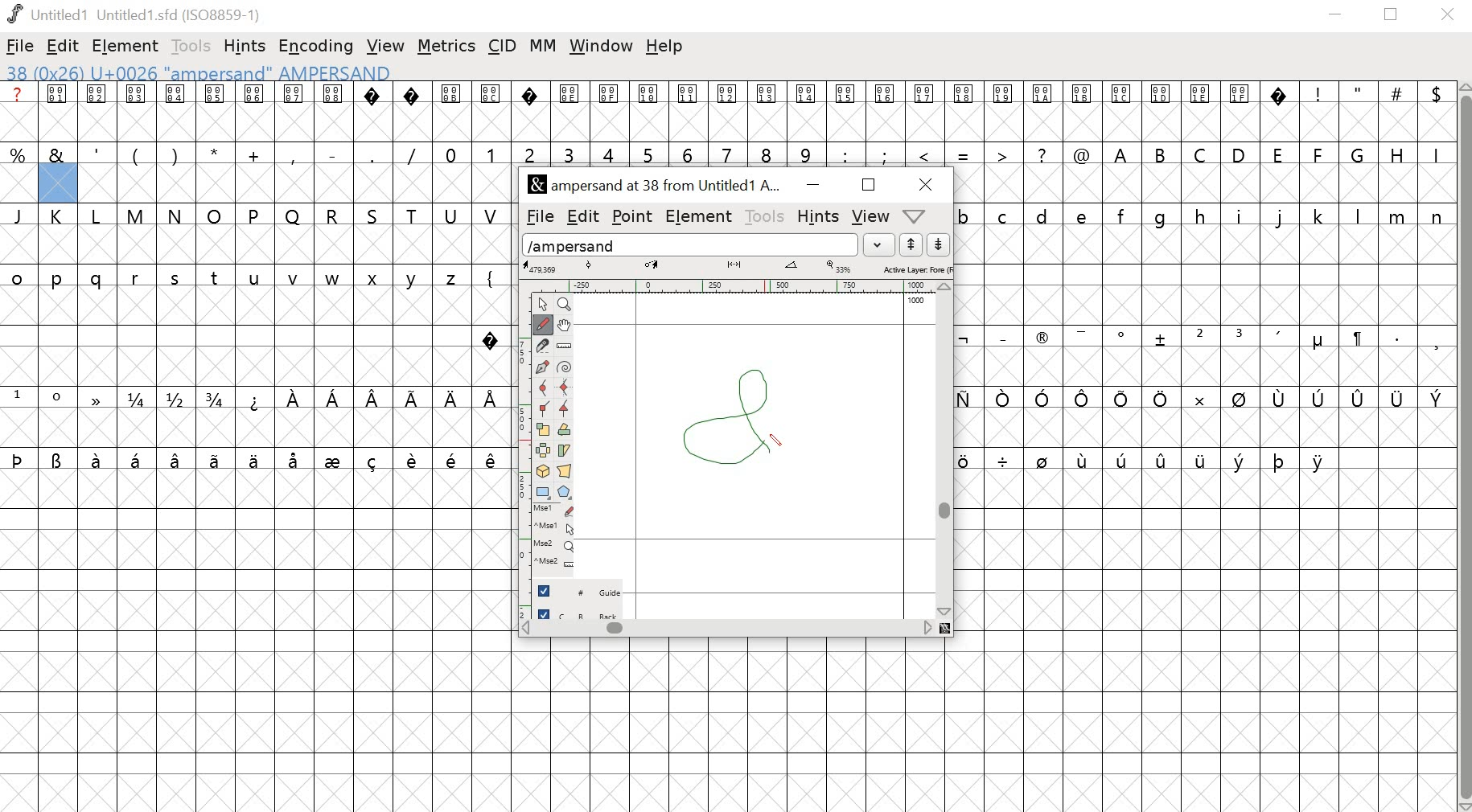  Describe the element at coordinates (57, 154) in the screenshot. I see `&` at that location.